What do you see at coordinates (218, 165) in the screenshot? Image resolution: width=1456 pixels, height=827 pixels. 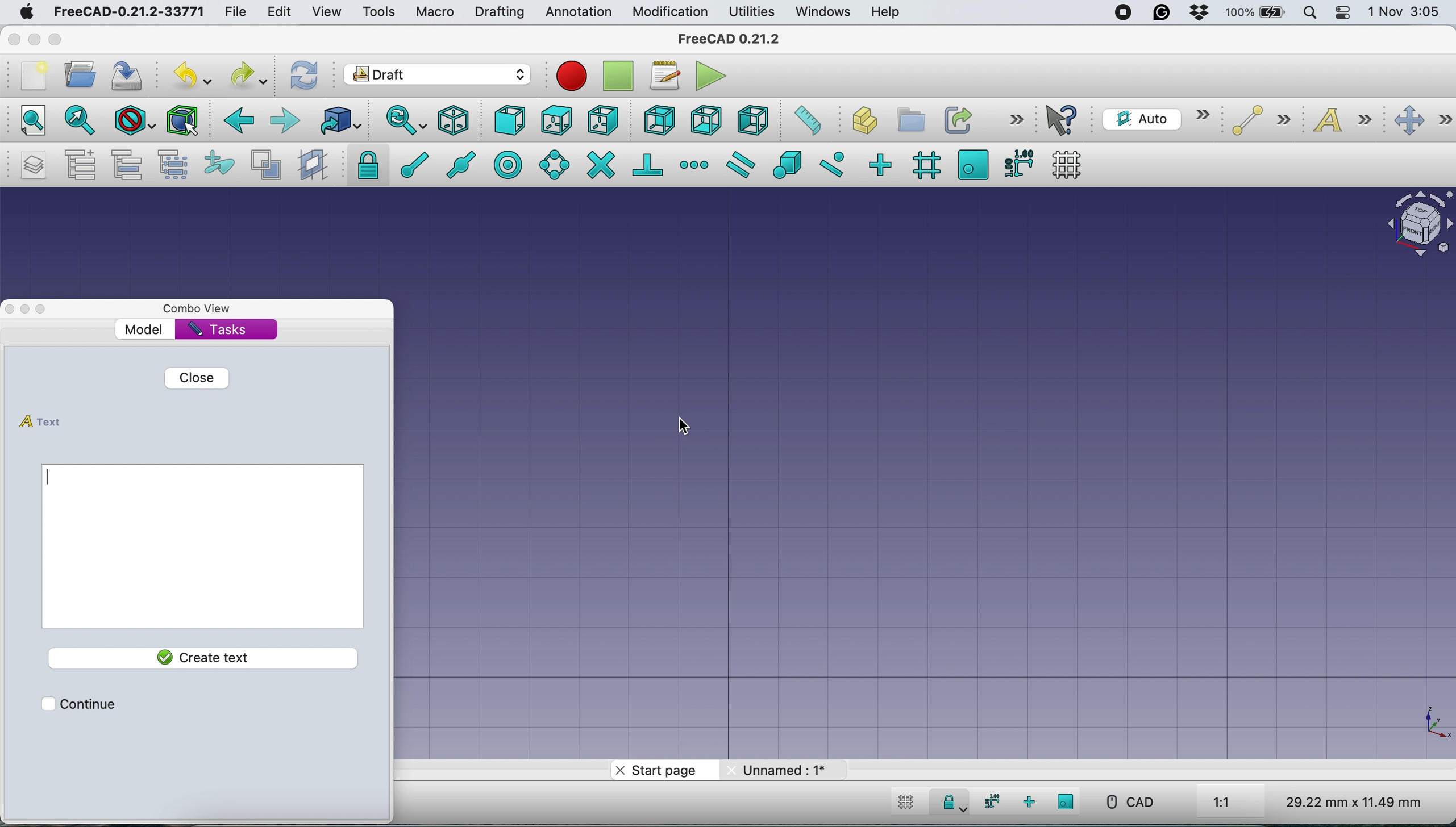 I see `add to construction group` at bounding box center [218, 165].